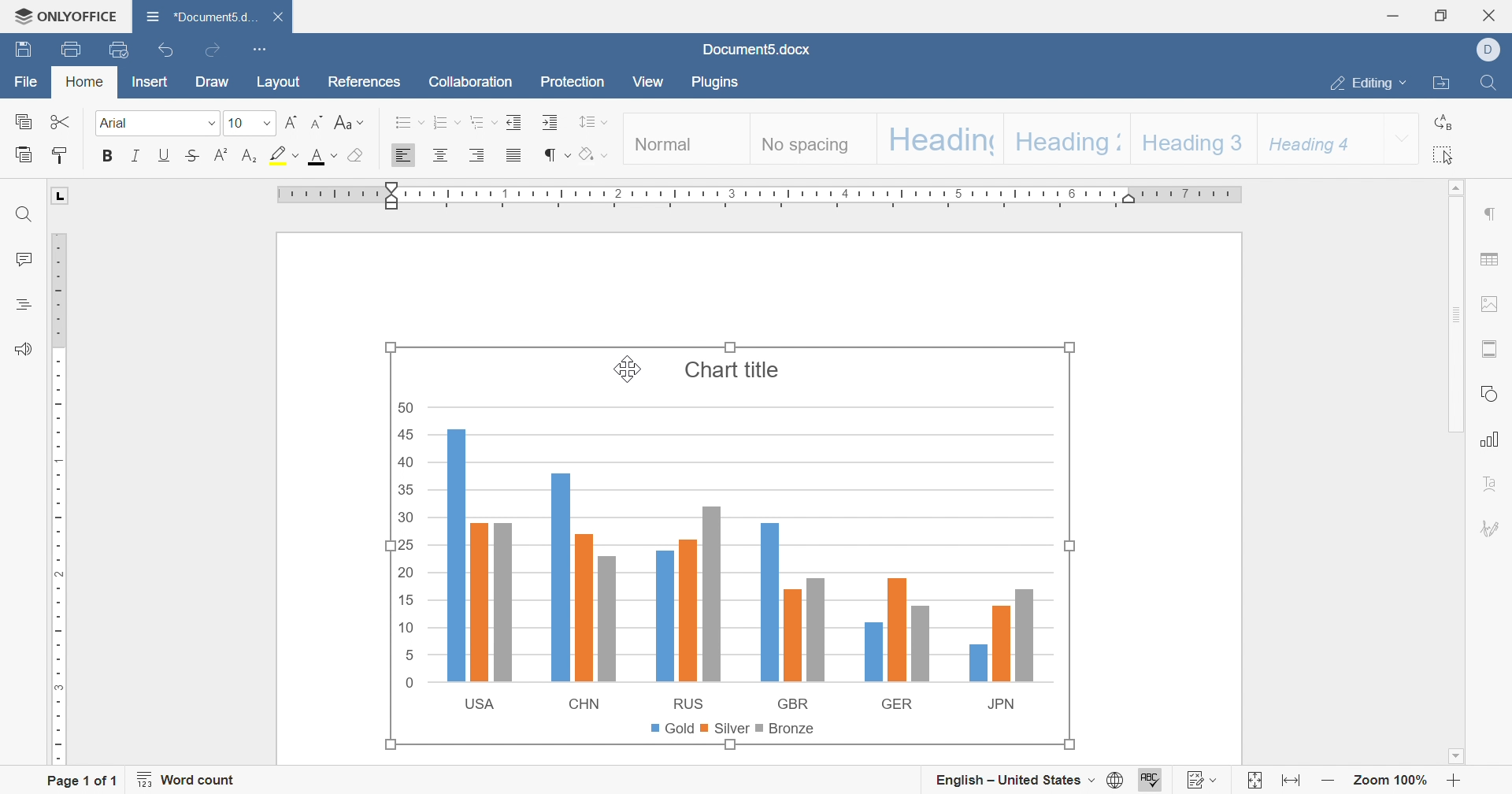 The width and height of the screenshot is (1512, 794). I want to click on find, so click(1488, 83).